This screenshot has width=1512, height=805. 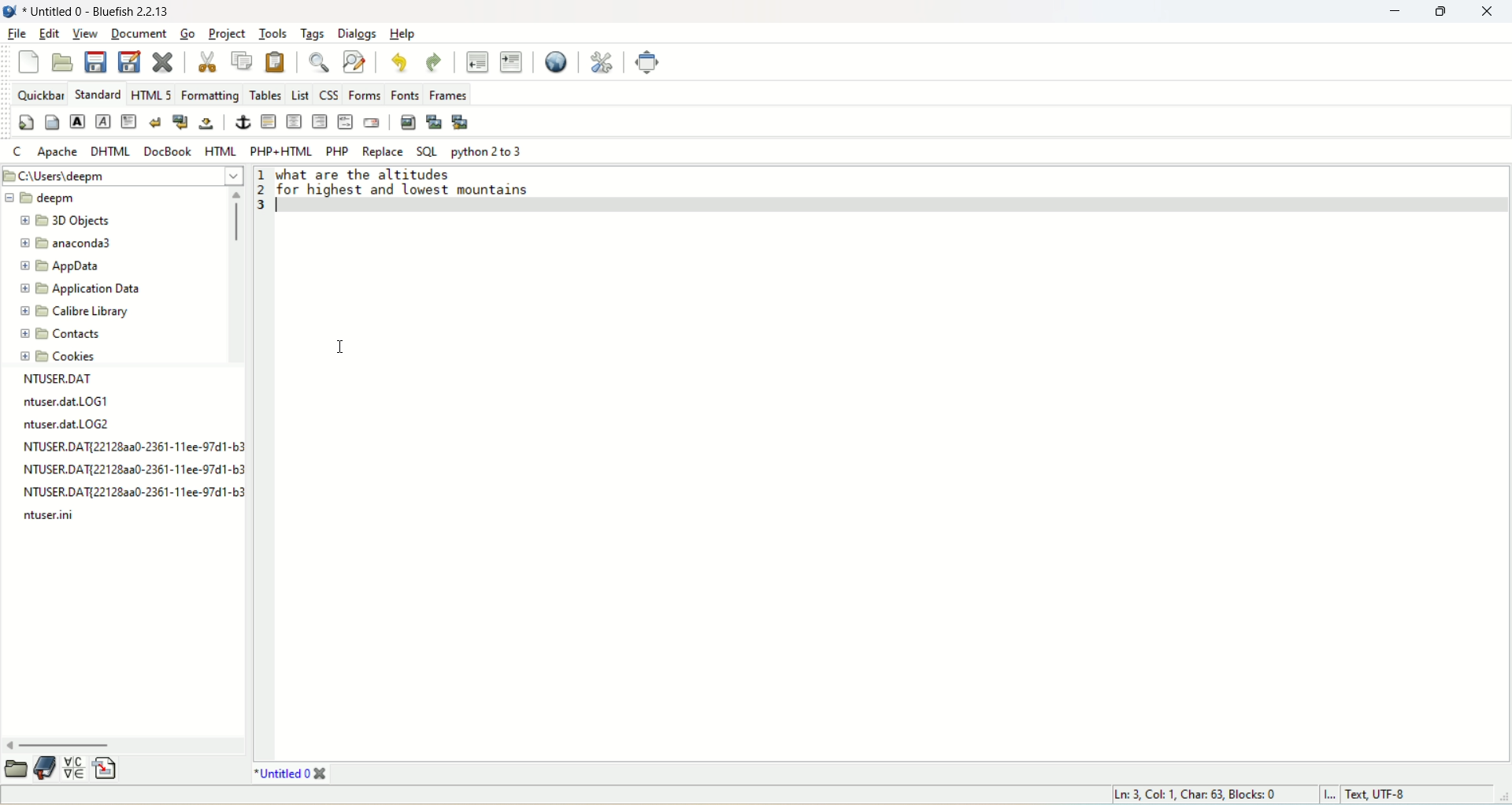 What do you see at coordinates (69, 221) in the screenshot?
I see `3D object` at bounding box center [69, 221].